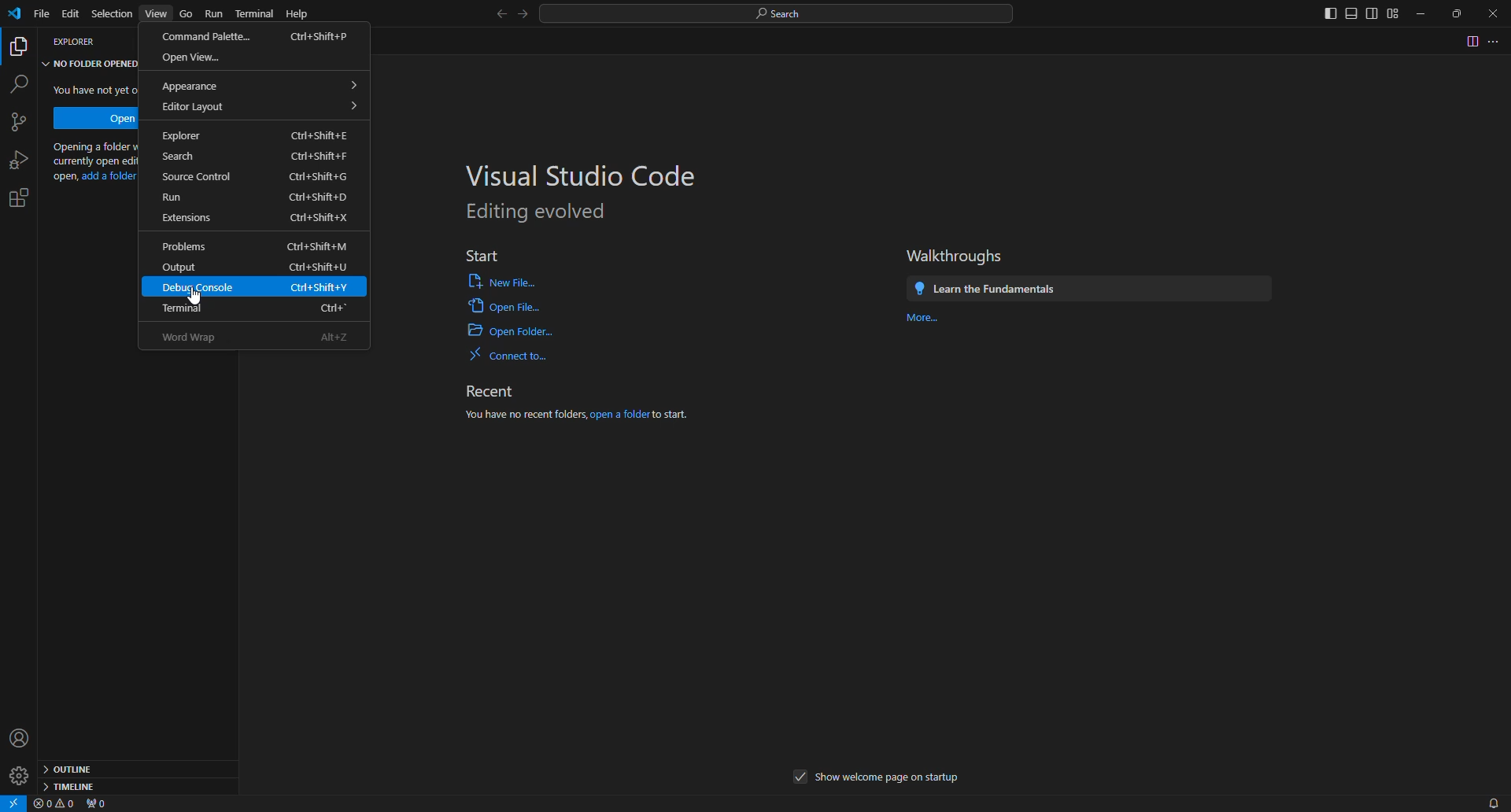  Describe the element at coordinates (1467, 42) in the screenshot. I see `toggle switch page` at that location.